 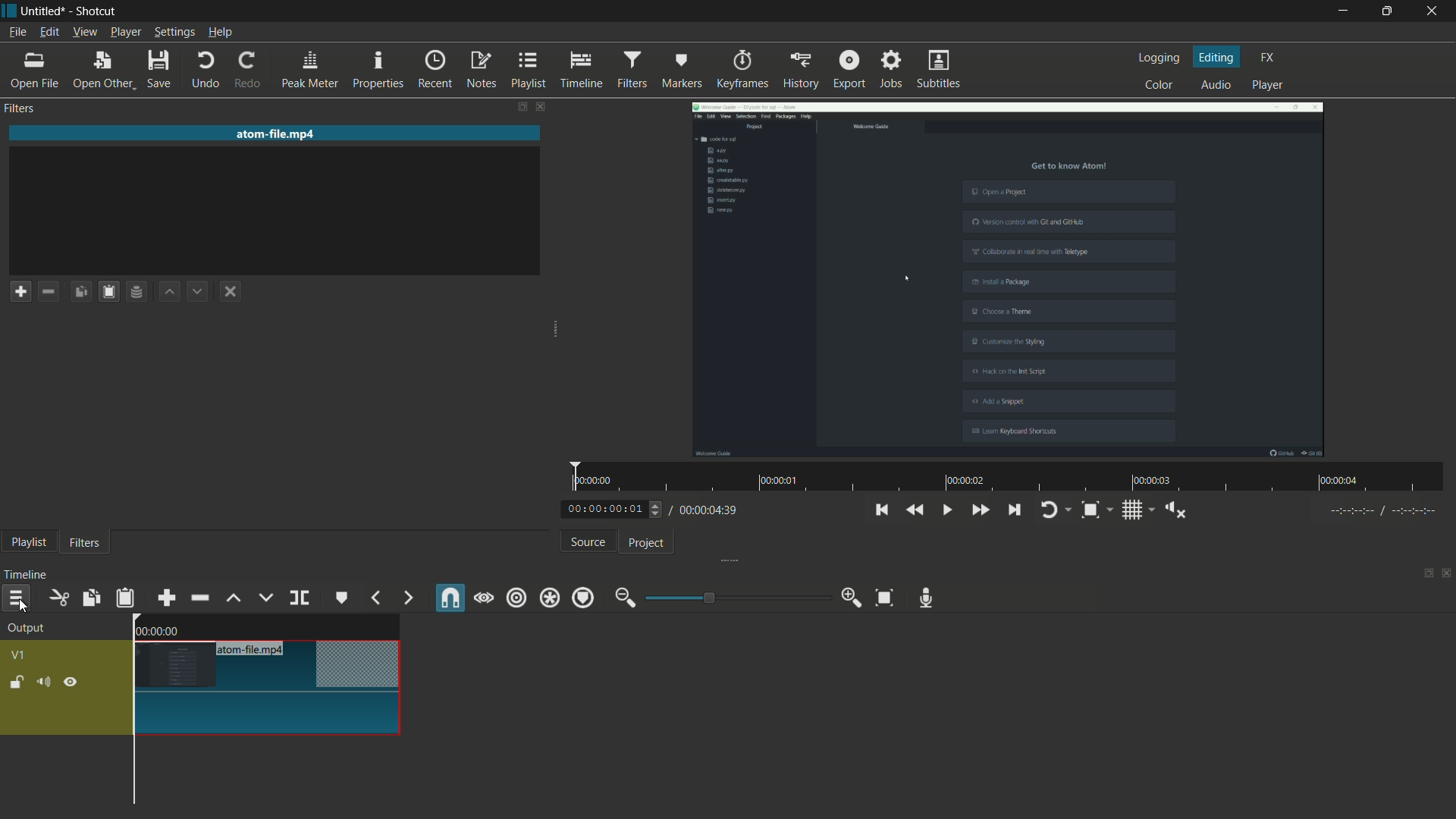 What do you see at coordinates (249, 69) in the screenshot?
I see `redo` at bounding box center [249, 69].